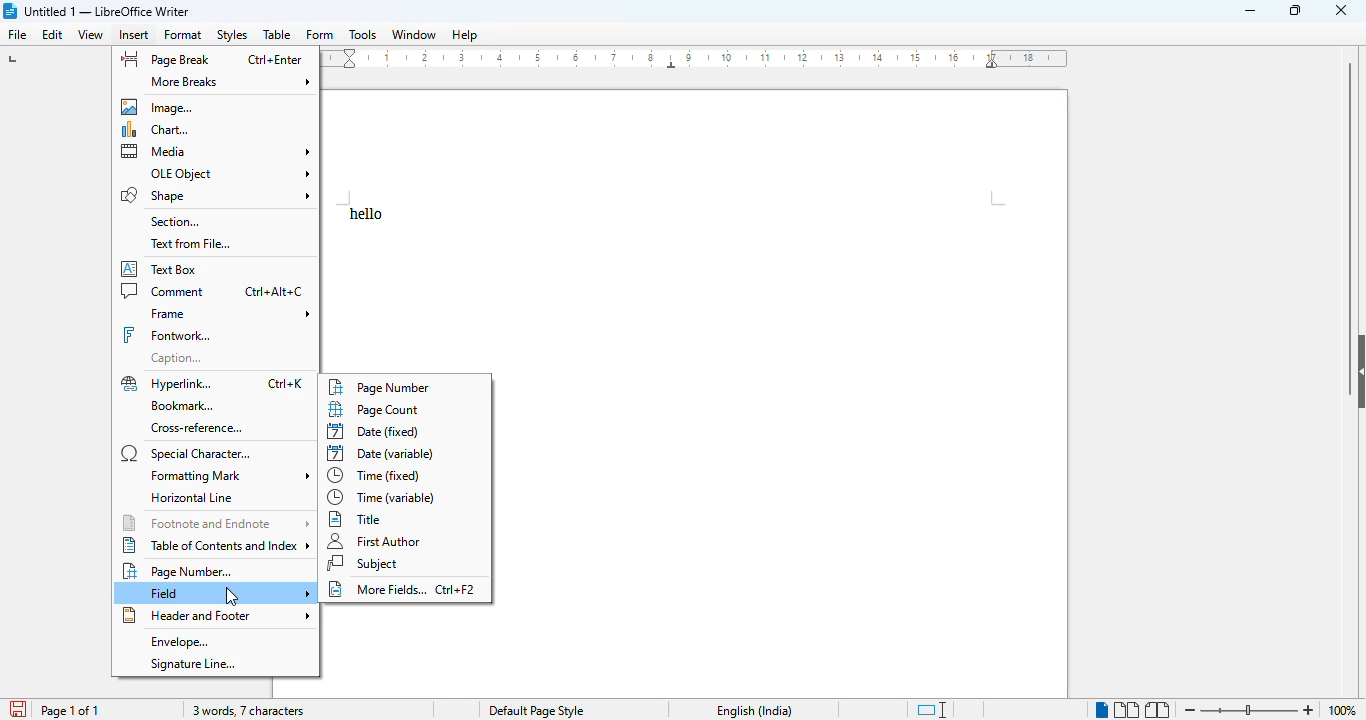 This screenshot has width=1366, height=720. Describe the element at coordinates (277, 34) in the screenshot. I see `table` at that location.